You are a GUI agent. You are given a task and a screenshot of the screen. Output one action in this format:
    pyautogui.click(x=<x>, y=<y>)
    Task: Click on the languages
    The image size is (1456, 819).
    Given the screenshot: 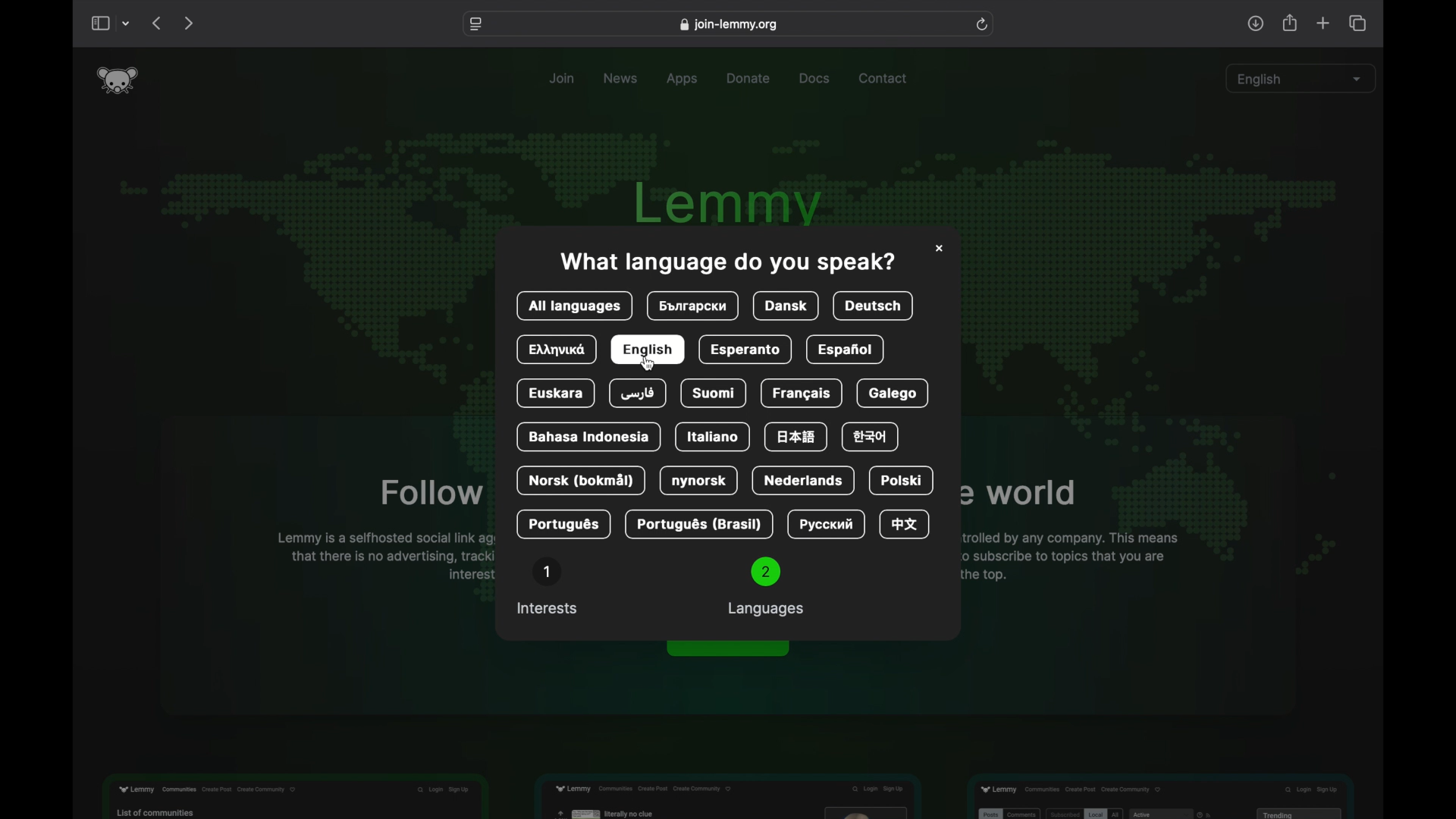 What is the action you would take?
    pyautogui.click(x=768, y=588)
    